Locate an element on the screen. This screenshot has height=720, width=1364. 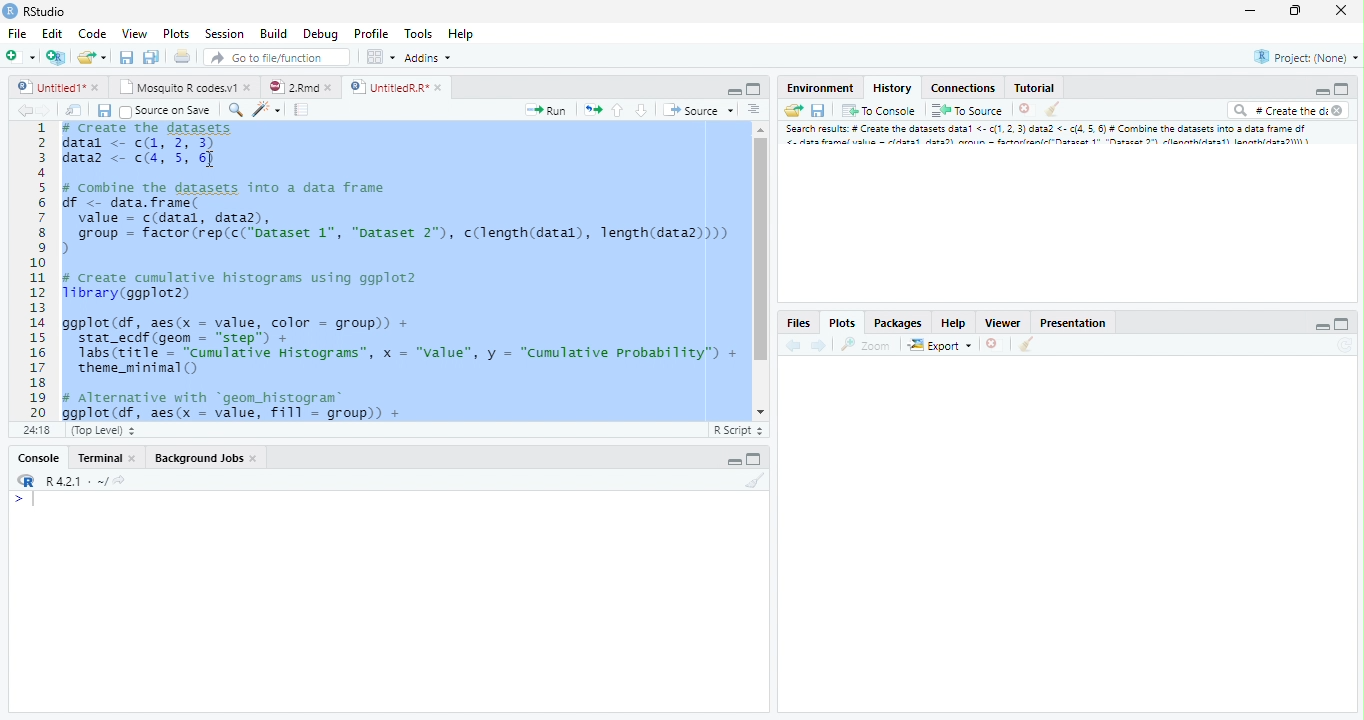
Terminal is located at coordinates (107, 457).